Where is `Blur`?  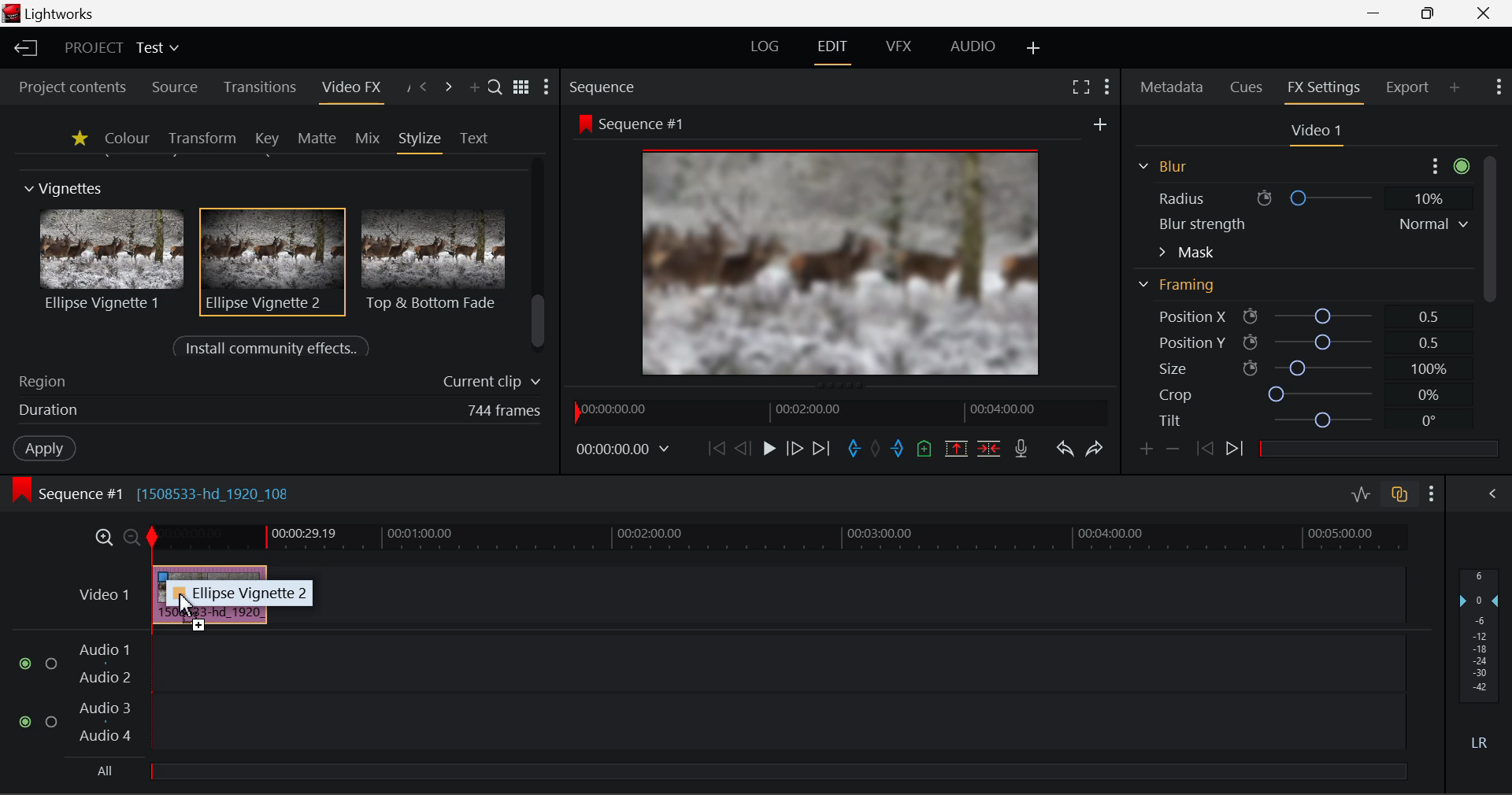 Blur is located at coordinates (1161, 165).